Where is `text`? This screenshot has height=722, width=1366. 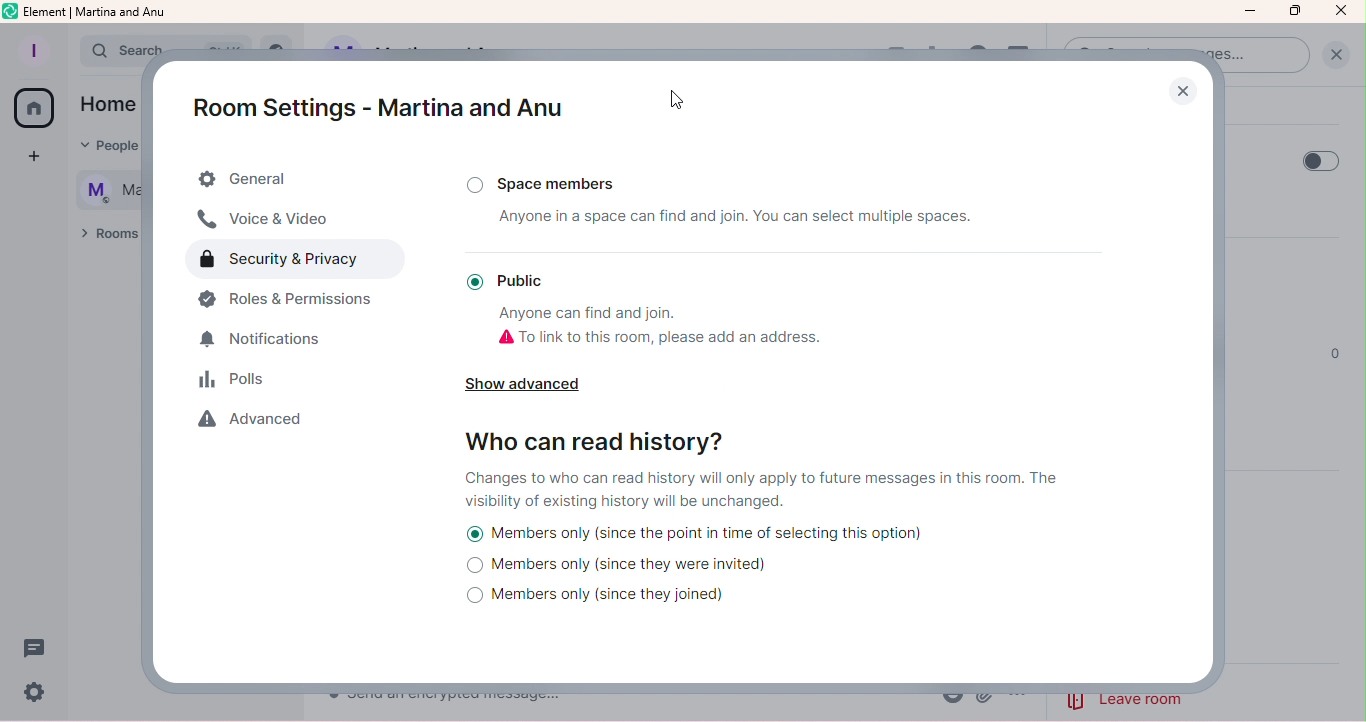 text is located at coordinates (109, 171).